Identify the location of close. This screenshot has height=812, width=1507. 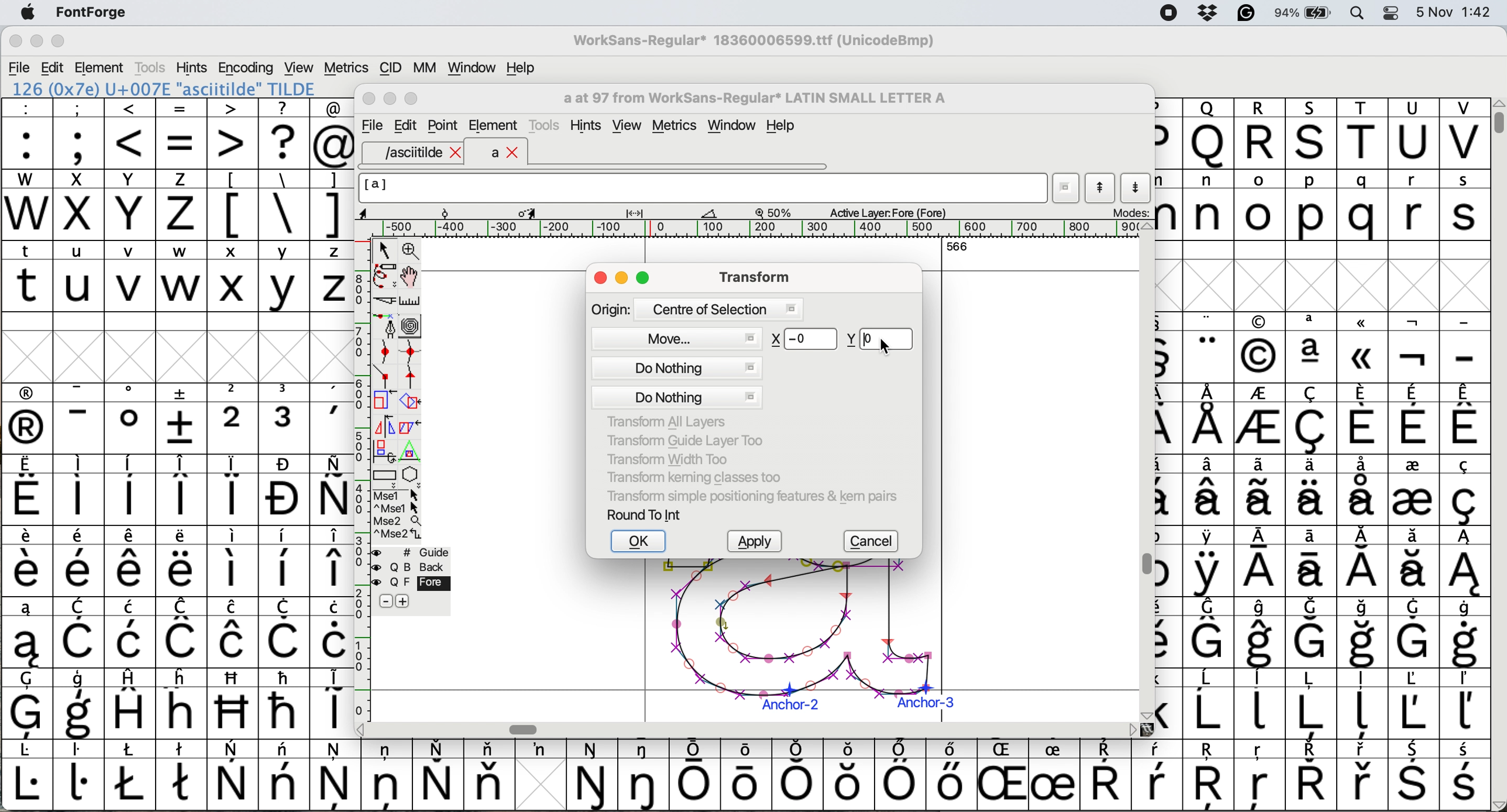
(15, 43).